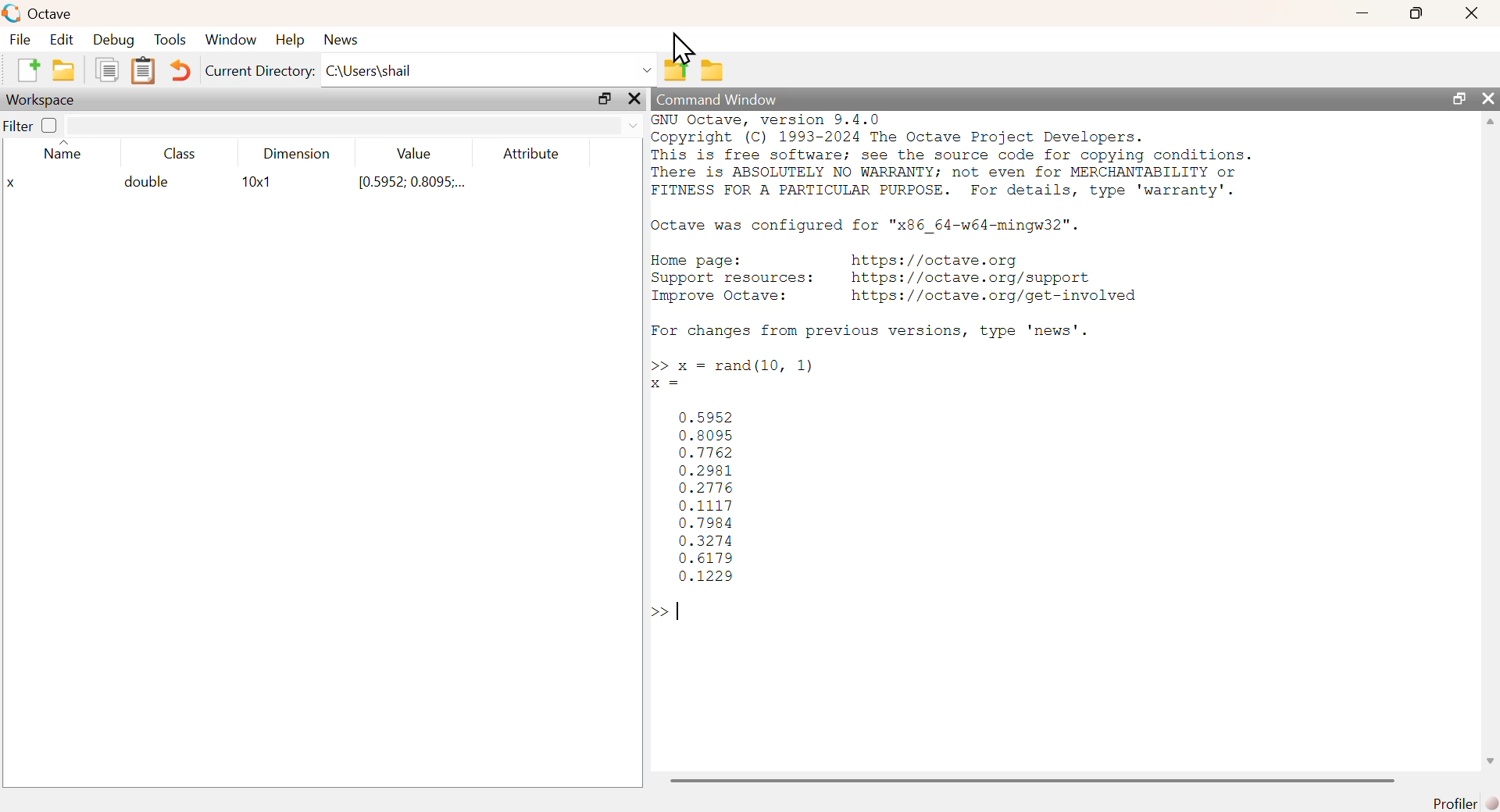 The width and height of the screenshot is (1500, 812). I want to click on workspace, so click(48, 100).